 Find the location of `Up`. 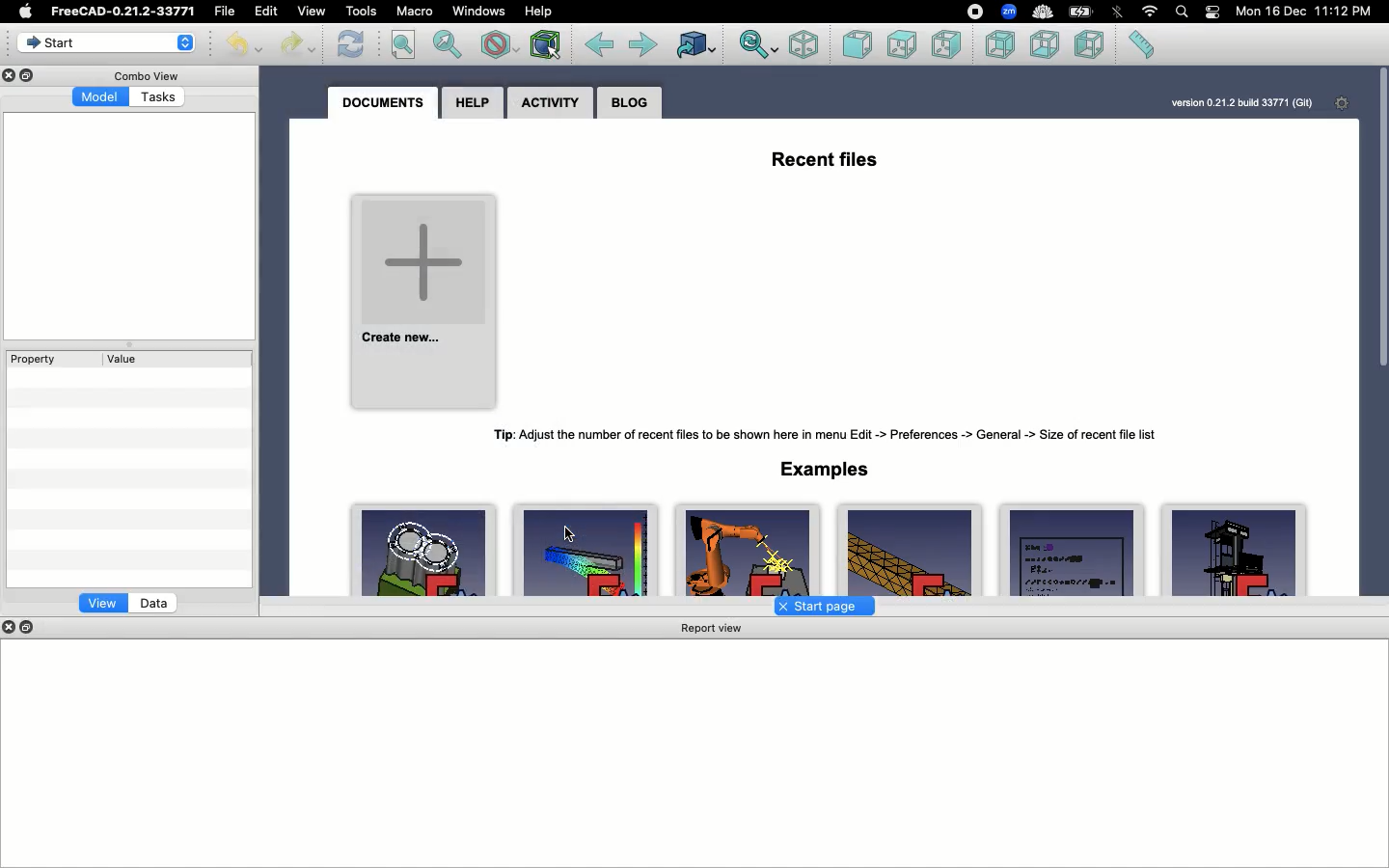

Up is located at coordinates (901, 46).